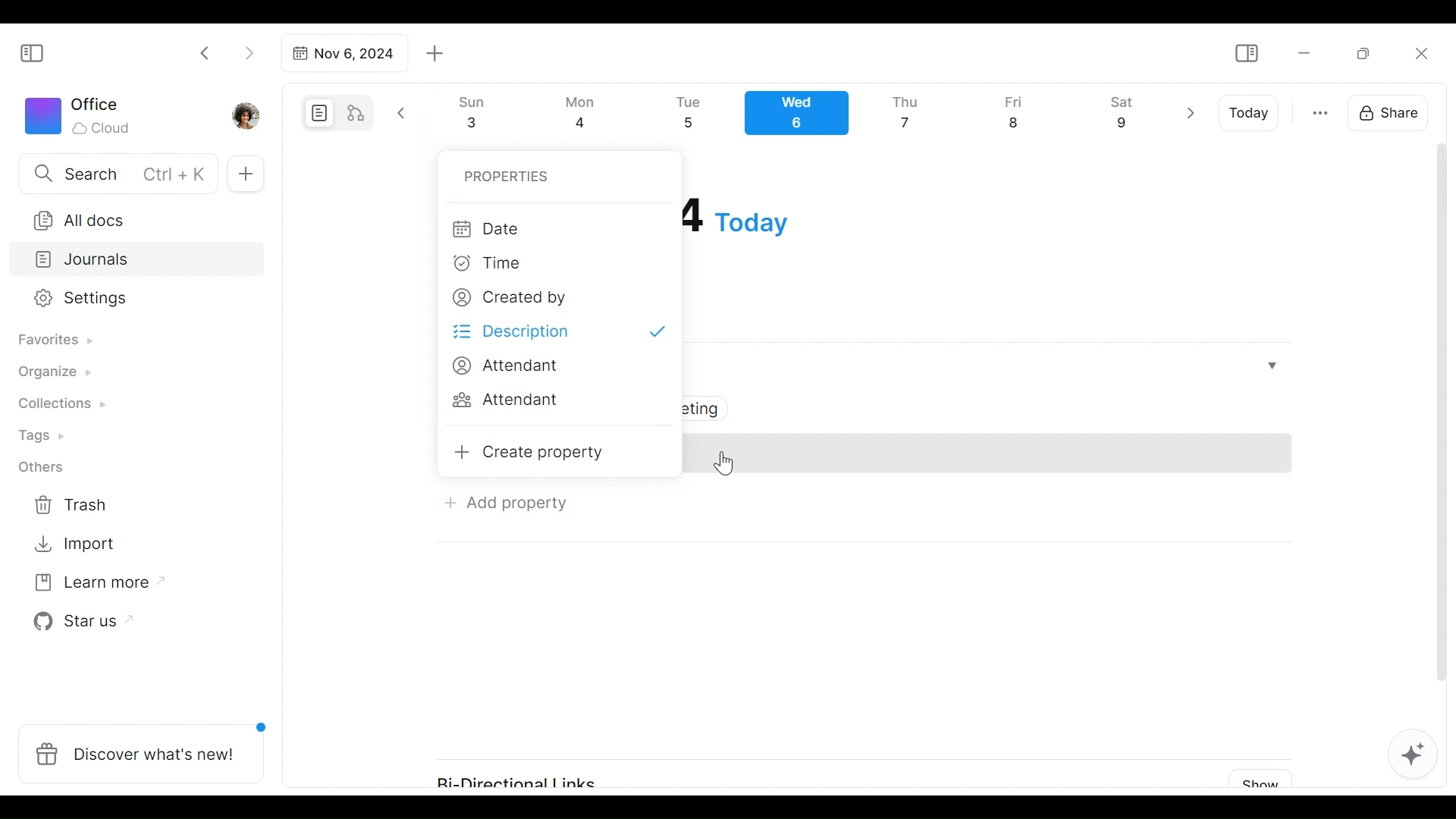 This screenshot has height=819, width=1456. I want to click on Close, so click(1420, 53).